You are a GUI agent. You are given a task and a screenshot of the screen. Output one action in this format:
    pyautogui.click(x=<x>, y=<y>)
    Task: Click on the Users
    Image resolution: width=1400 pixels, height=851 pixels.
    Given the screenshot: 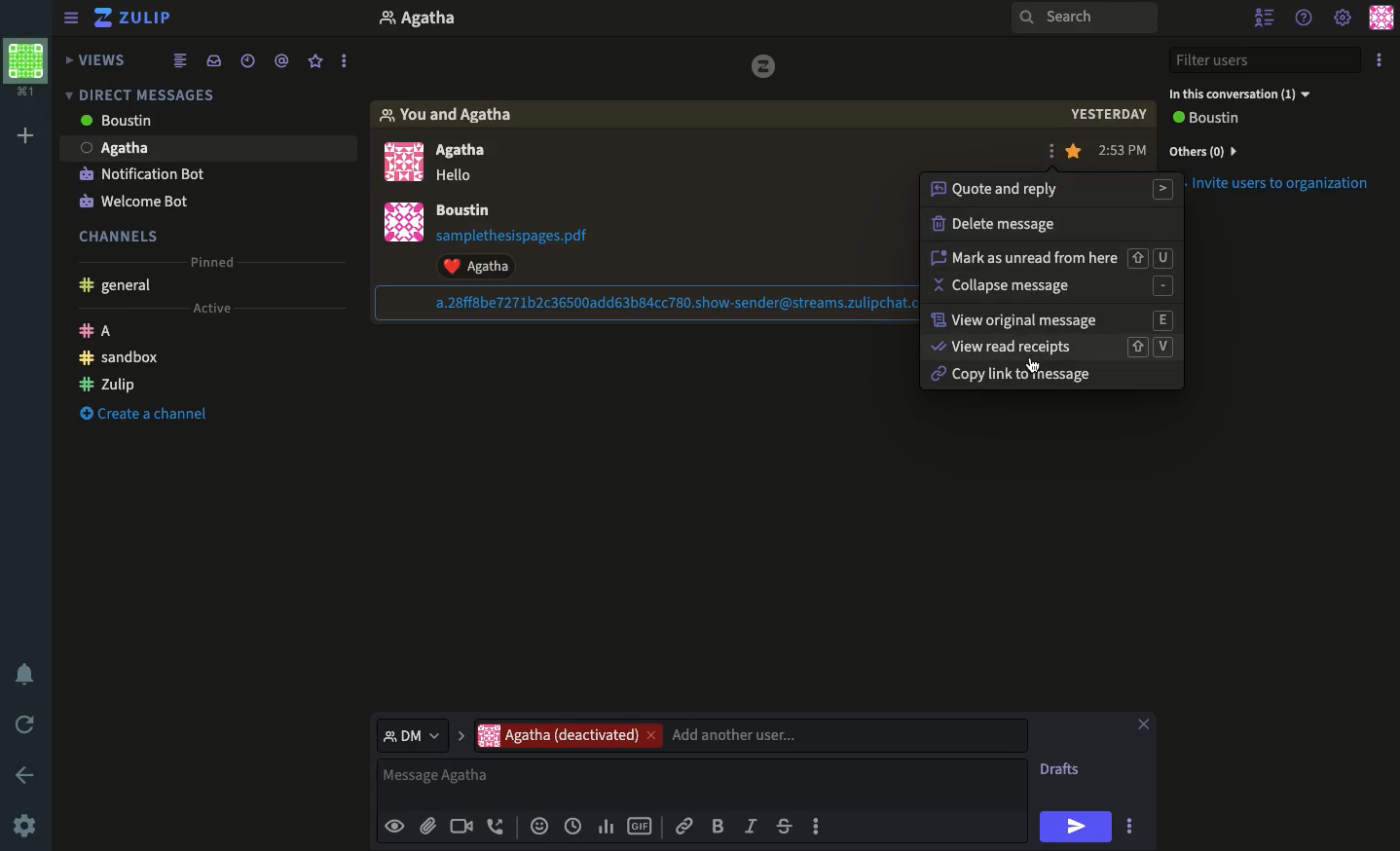 What is the action you would take?
    pyautogui.click(x=476, y=153)
    